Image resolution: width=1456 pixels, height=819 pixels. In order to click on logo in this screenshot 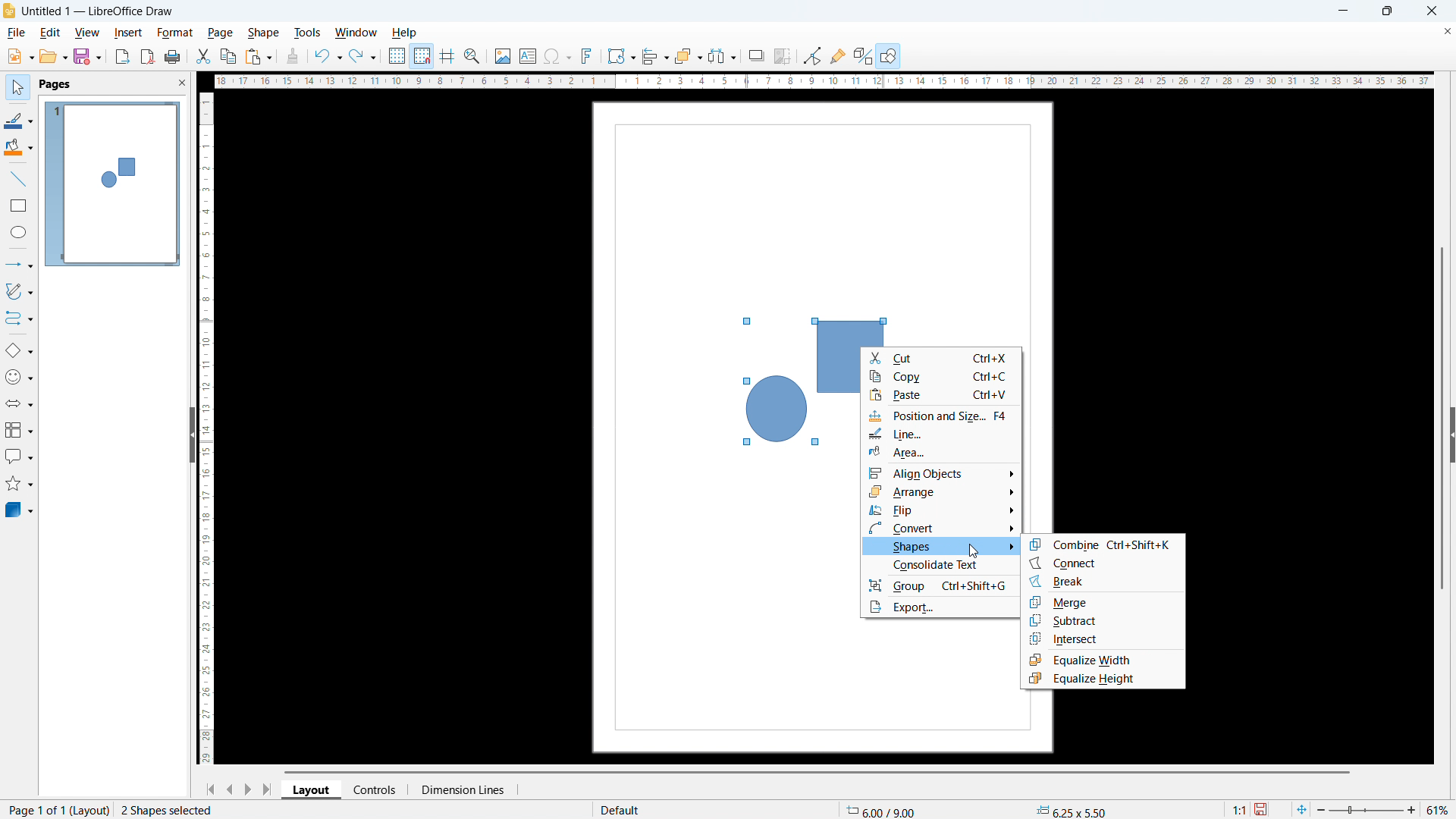, I will do `click(9, 11)`.